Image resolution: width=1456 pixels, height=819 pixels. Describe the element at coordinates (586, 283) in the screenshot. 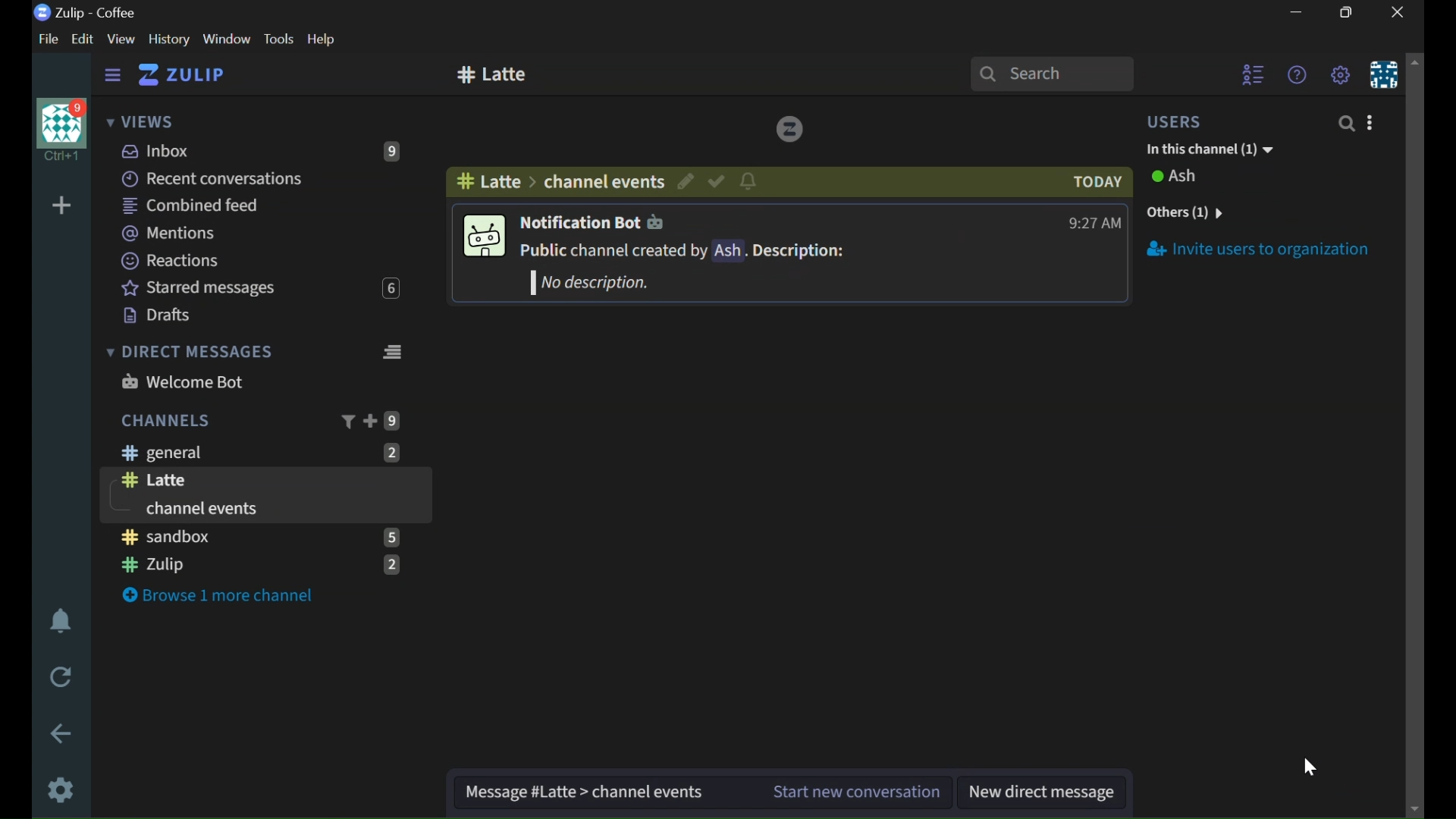

I see `No description` at that location.